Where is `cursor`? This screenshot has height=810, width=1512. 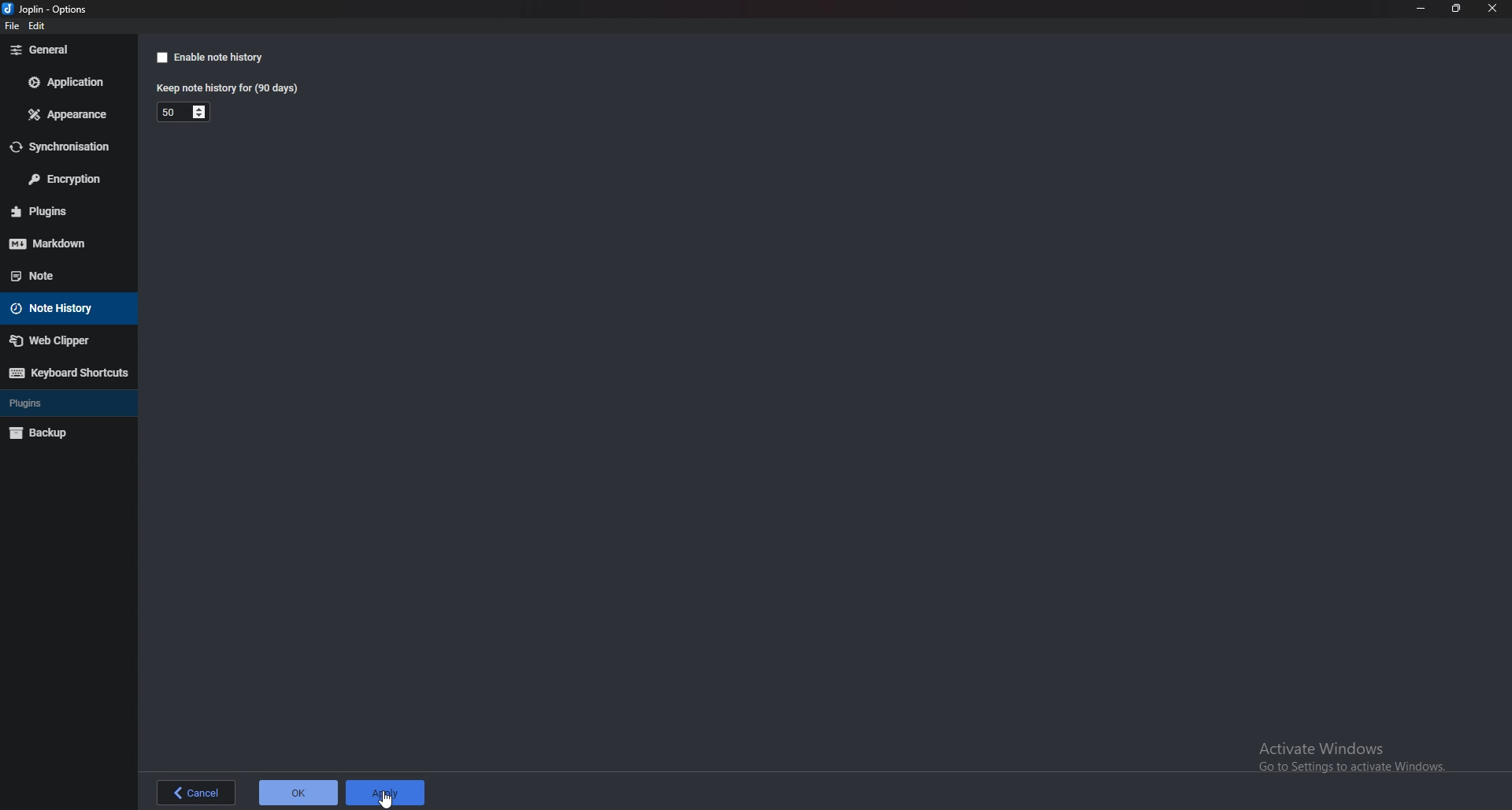 cursor is located at coordinates (385, 797).